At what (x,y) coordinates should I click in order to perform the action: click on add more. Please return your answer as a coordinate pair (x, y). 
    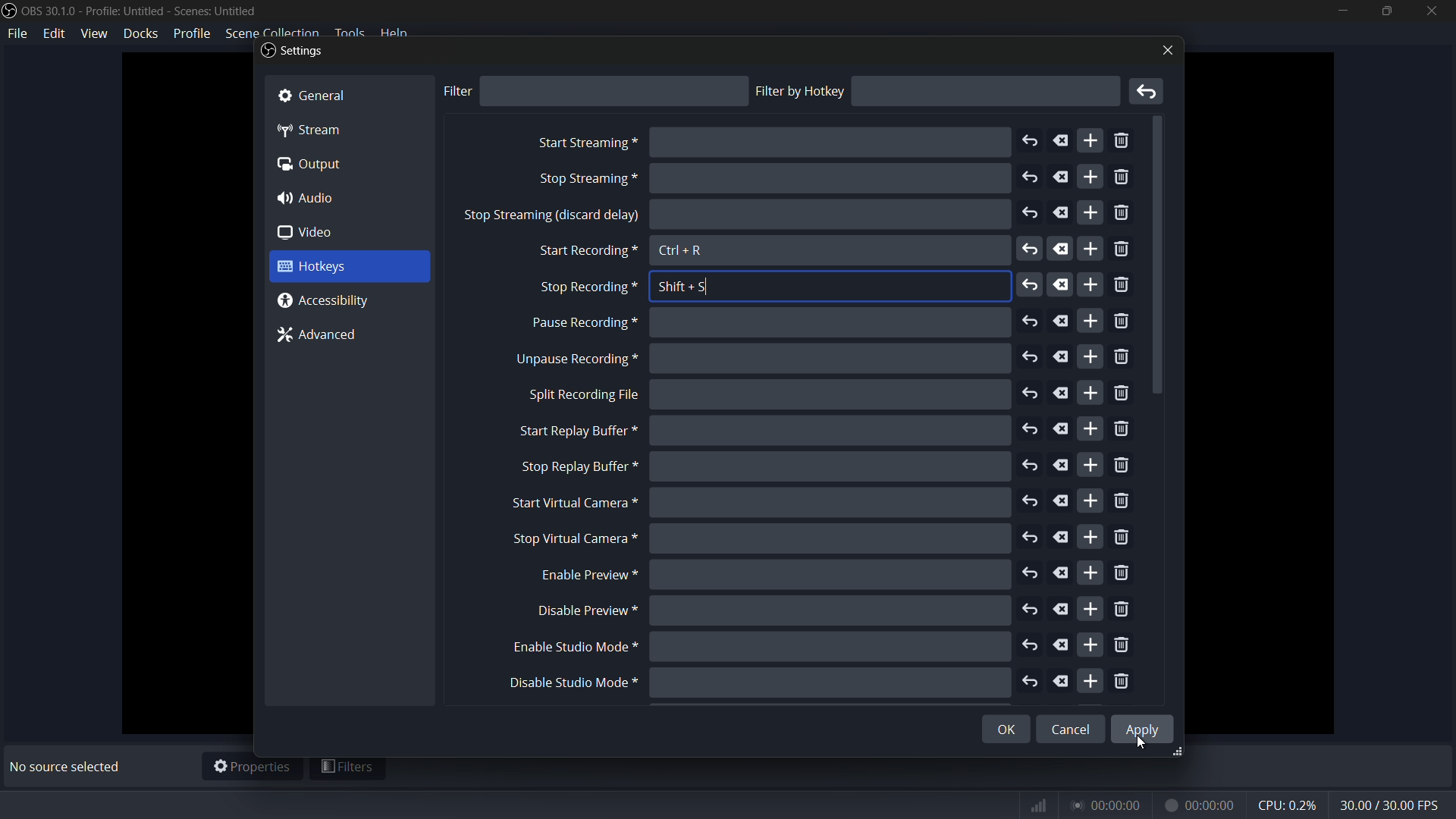
    Looking at the image, I should click on (1090, 213).